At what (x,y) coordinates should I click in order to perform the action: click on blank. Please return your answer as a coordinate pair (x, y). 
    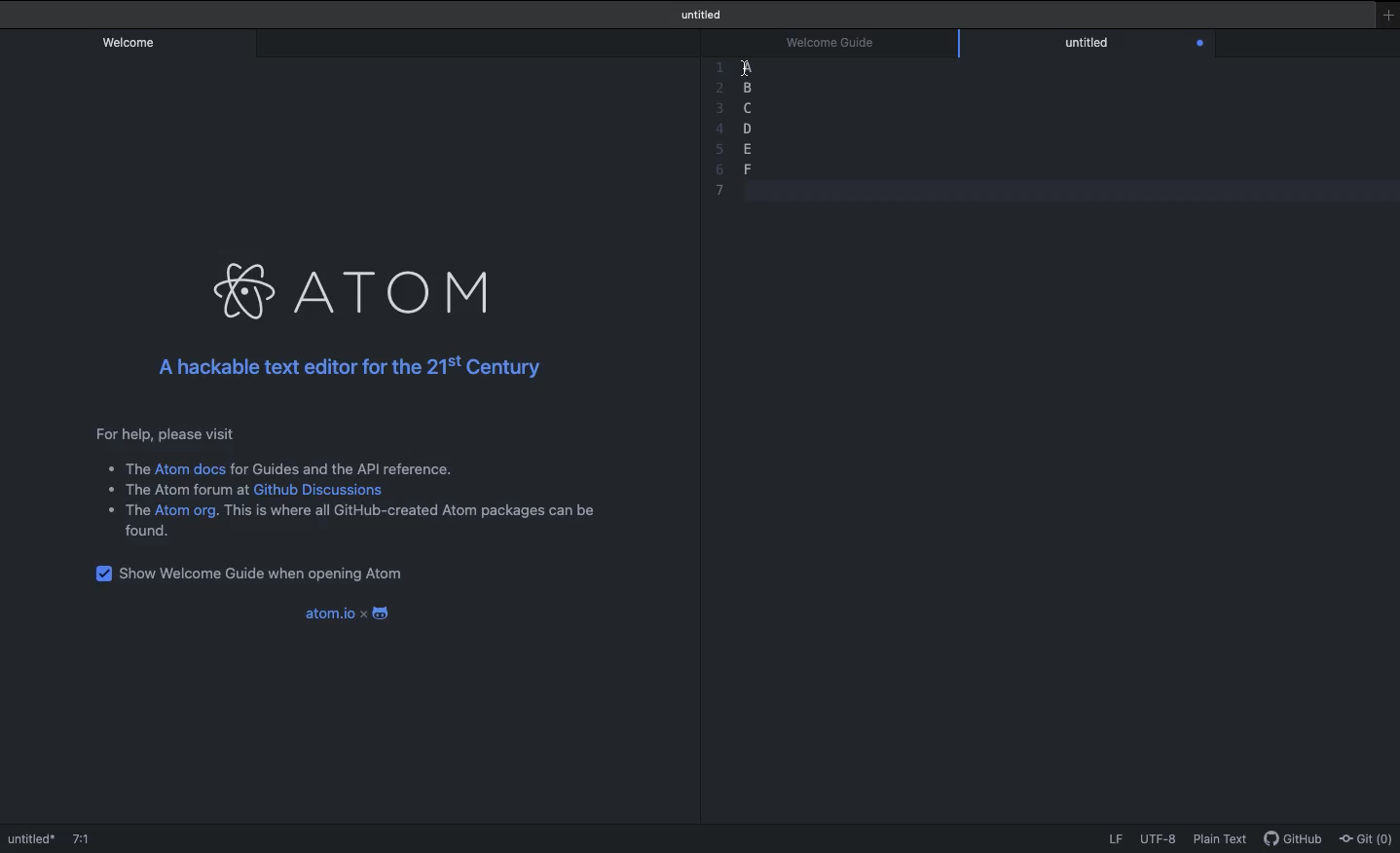
    Looking at the image, I should click on (754, 187).